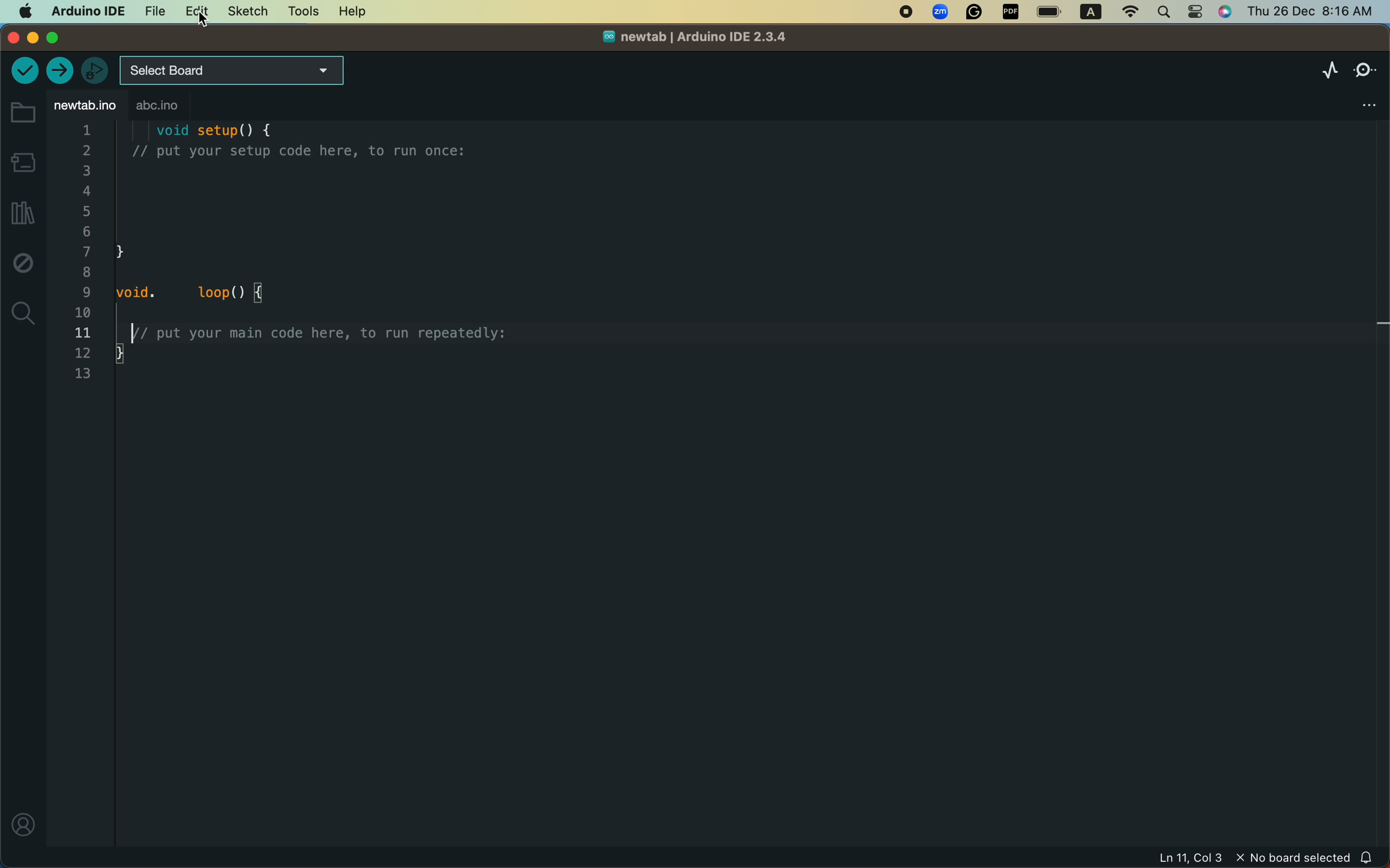 The width and height of the screenshot is (1390, 868). What do you see at coordinates (61, 71) in the screenshot?
I see `upload` at bounding box center [61, 71].